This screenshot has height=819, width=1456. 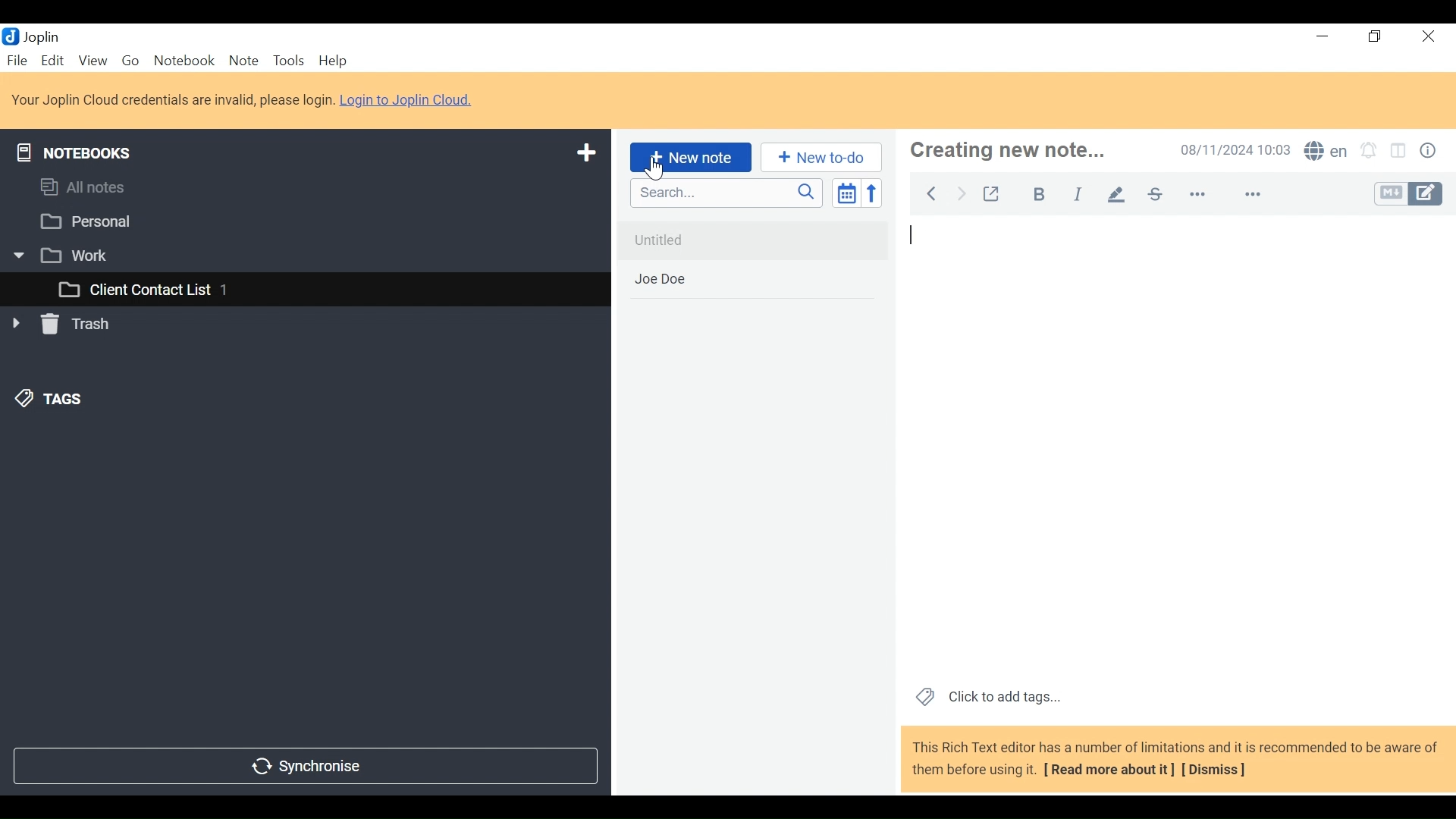 I want to click on Strikethrough, so click(x=1155, y=194).